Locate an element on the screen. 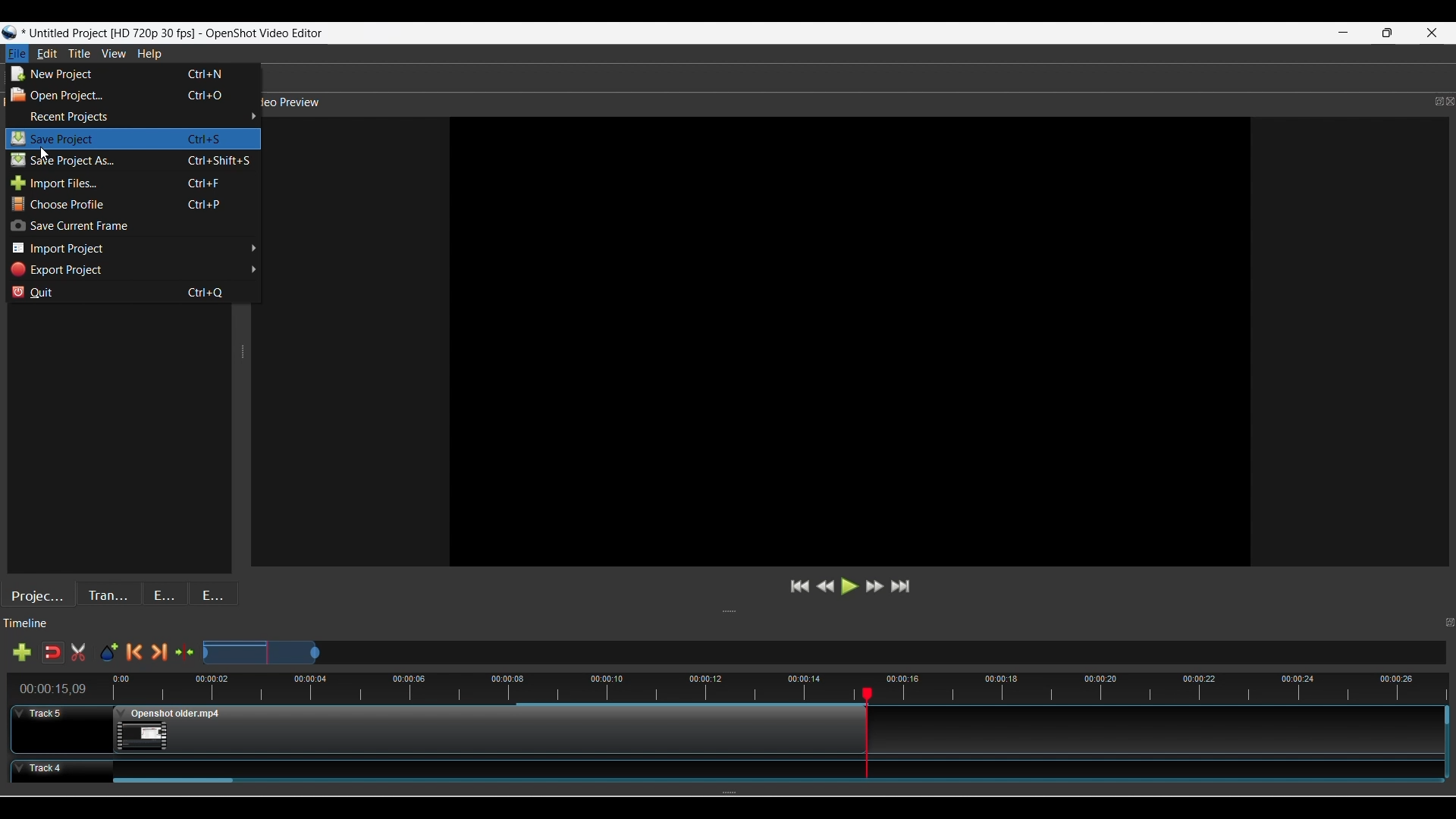 The width and height of the screenshot is (1456, 819). Center the timeline on the playhead is located at coordinates (184, 652).